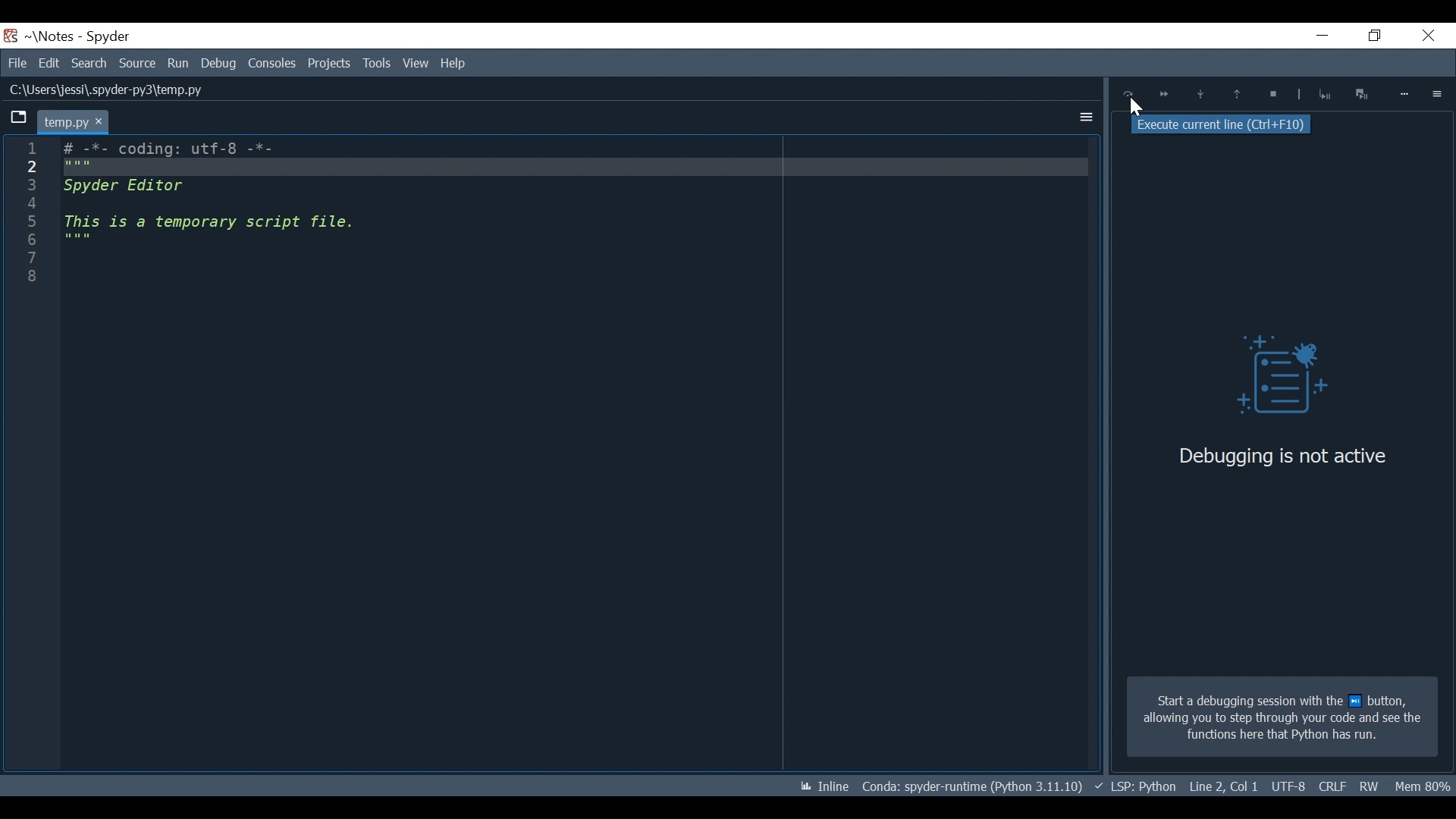  I want to click on Execute Current Line toolpit, so click(1223, 124).